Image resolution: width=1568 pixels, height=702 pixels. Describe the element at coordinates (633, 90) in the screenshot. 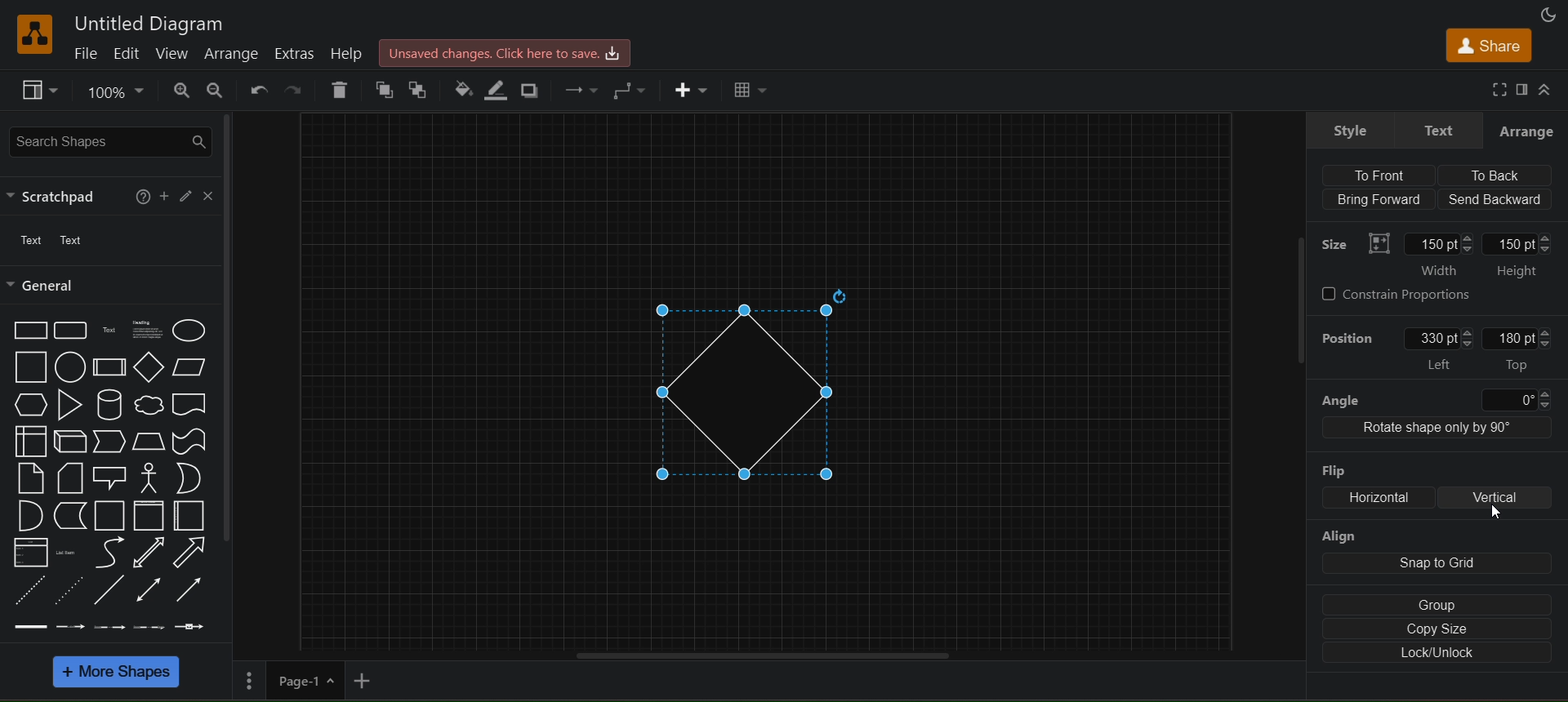

I see `waypoints` at that location.